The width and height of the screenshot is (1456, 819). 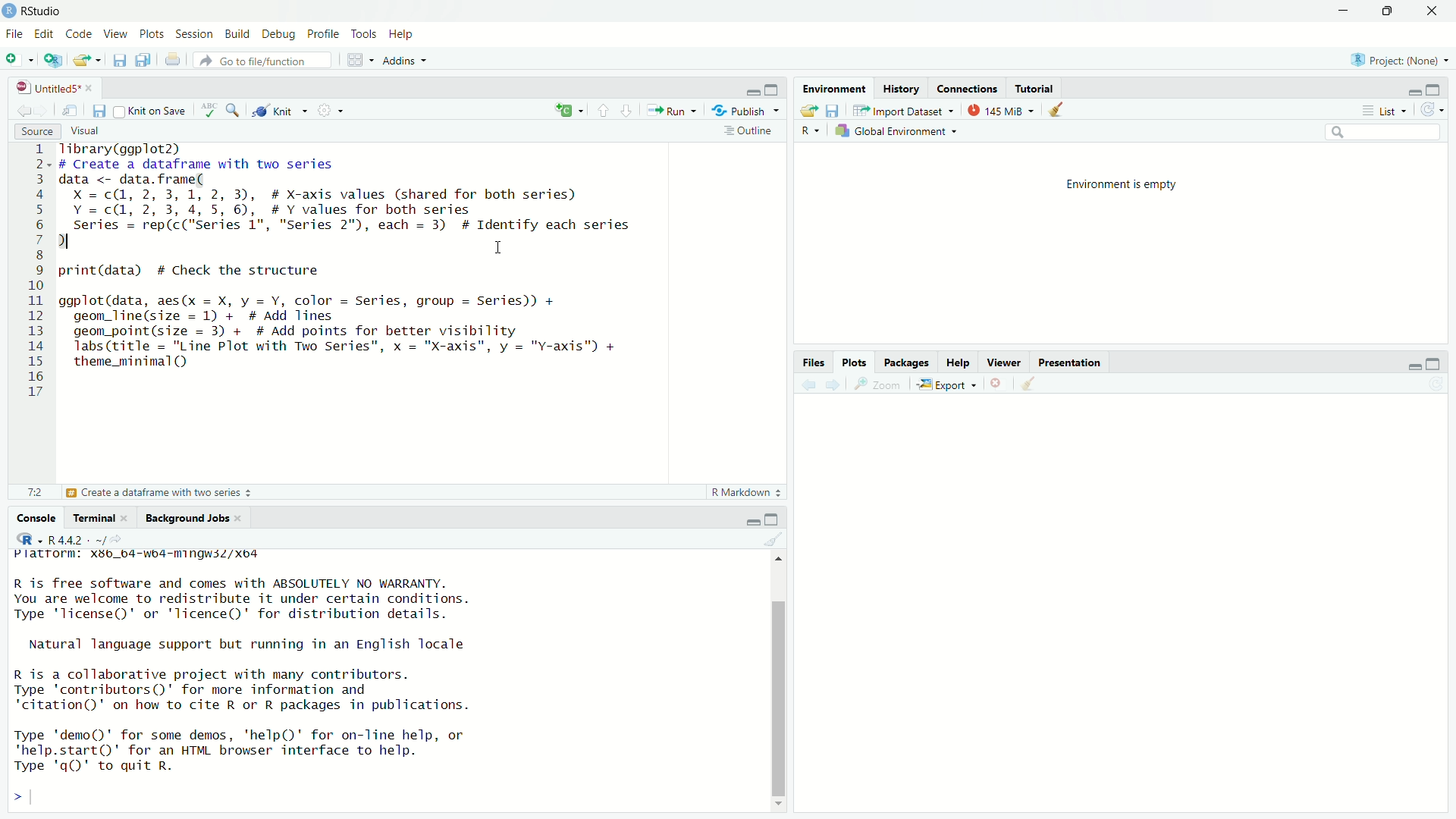 I want to click on Code, so click(x=77, y=36).